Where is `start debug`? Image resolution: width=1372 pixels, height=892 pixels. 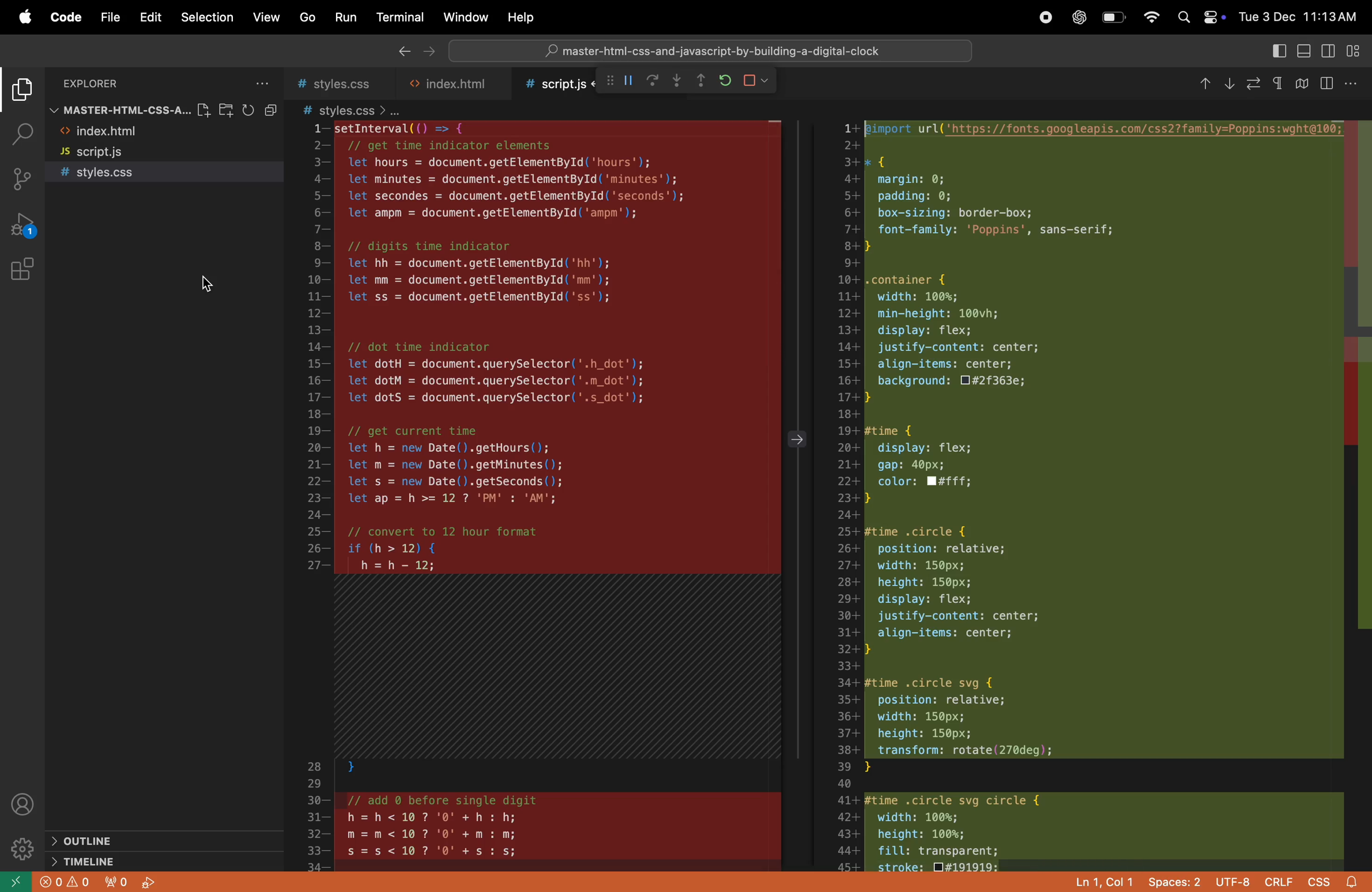 start debug is located at coordinates (150, 882).